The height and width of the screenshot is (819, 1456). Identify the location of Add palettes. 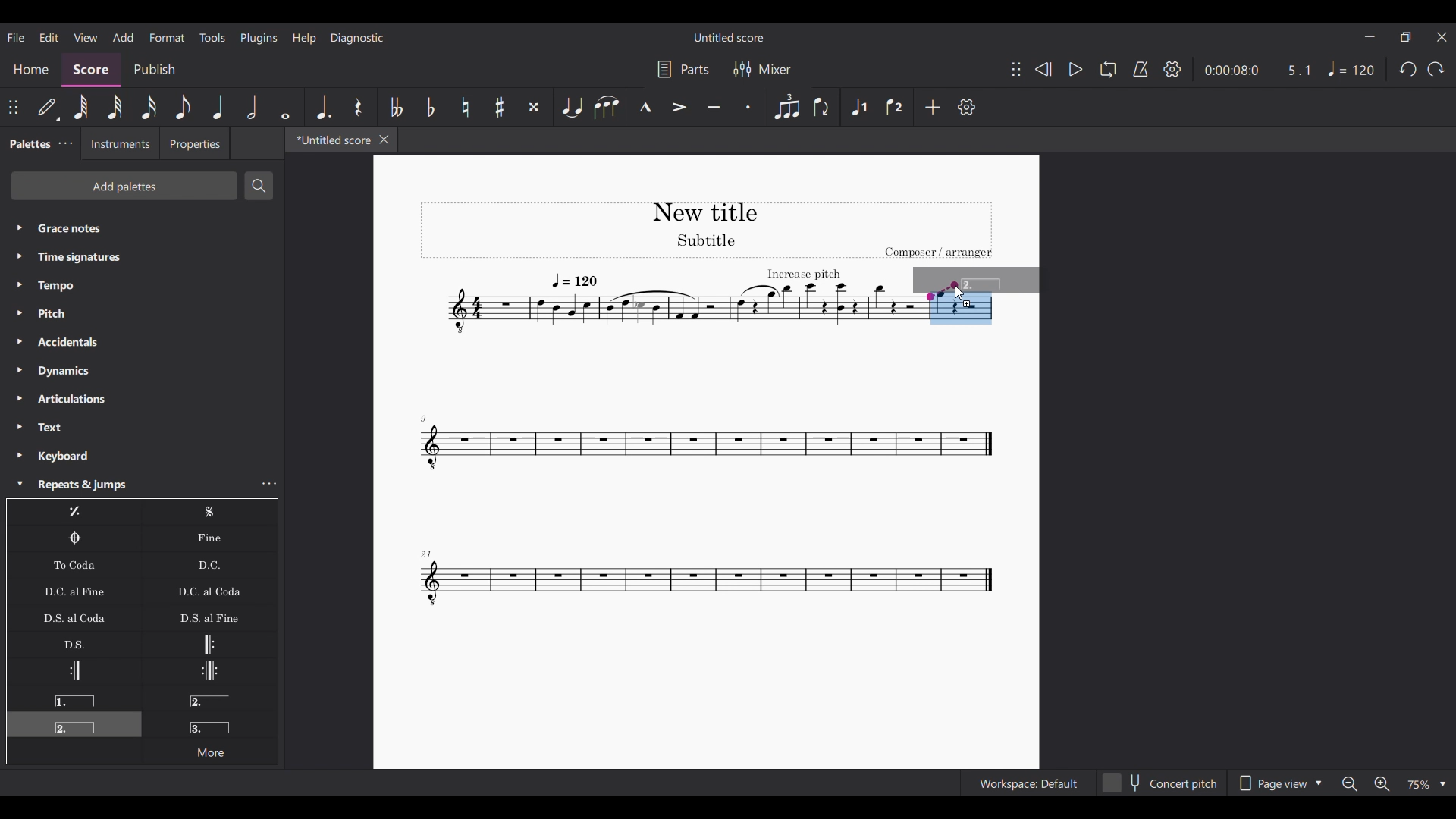
(124, 186).